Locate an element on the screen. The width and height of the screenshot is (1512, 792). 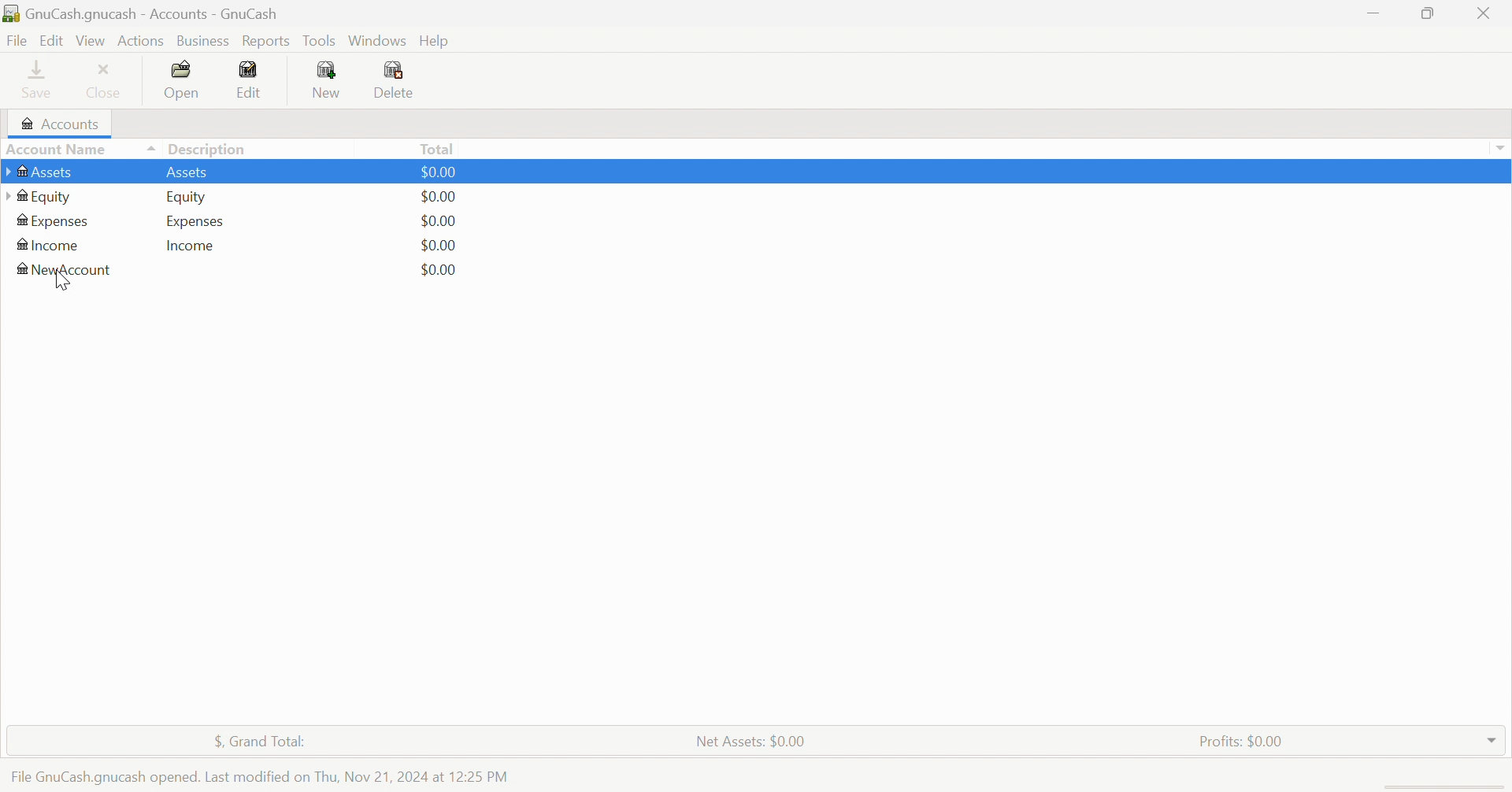
Edit is located at coordinates (50, 41).